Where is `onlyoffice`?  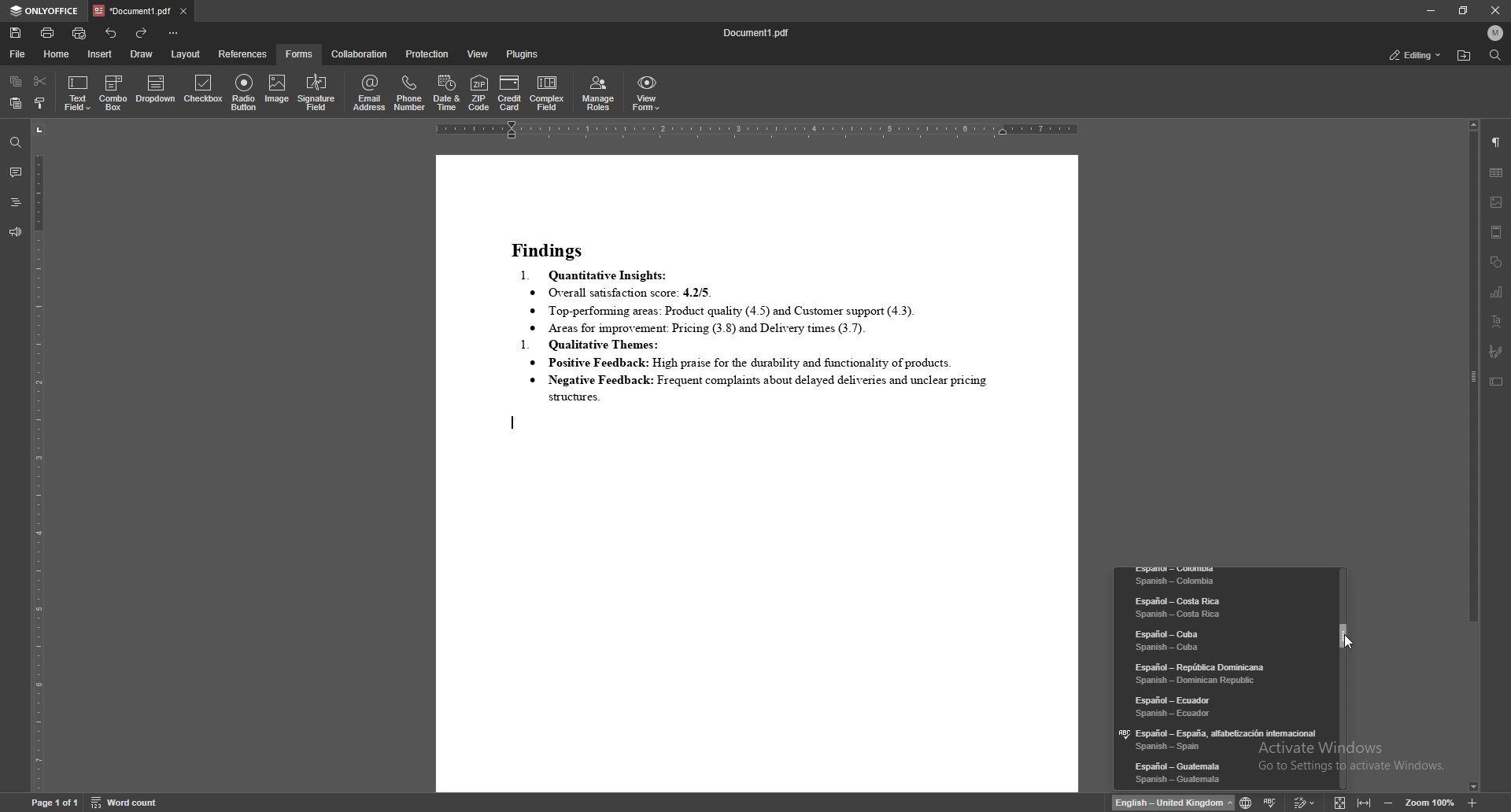
onlyoffice is located at coordinates (45, 11).